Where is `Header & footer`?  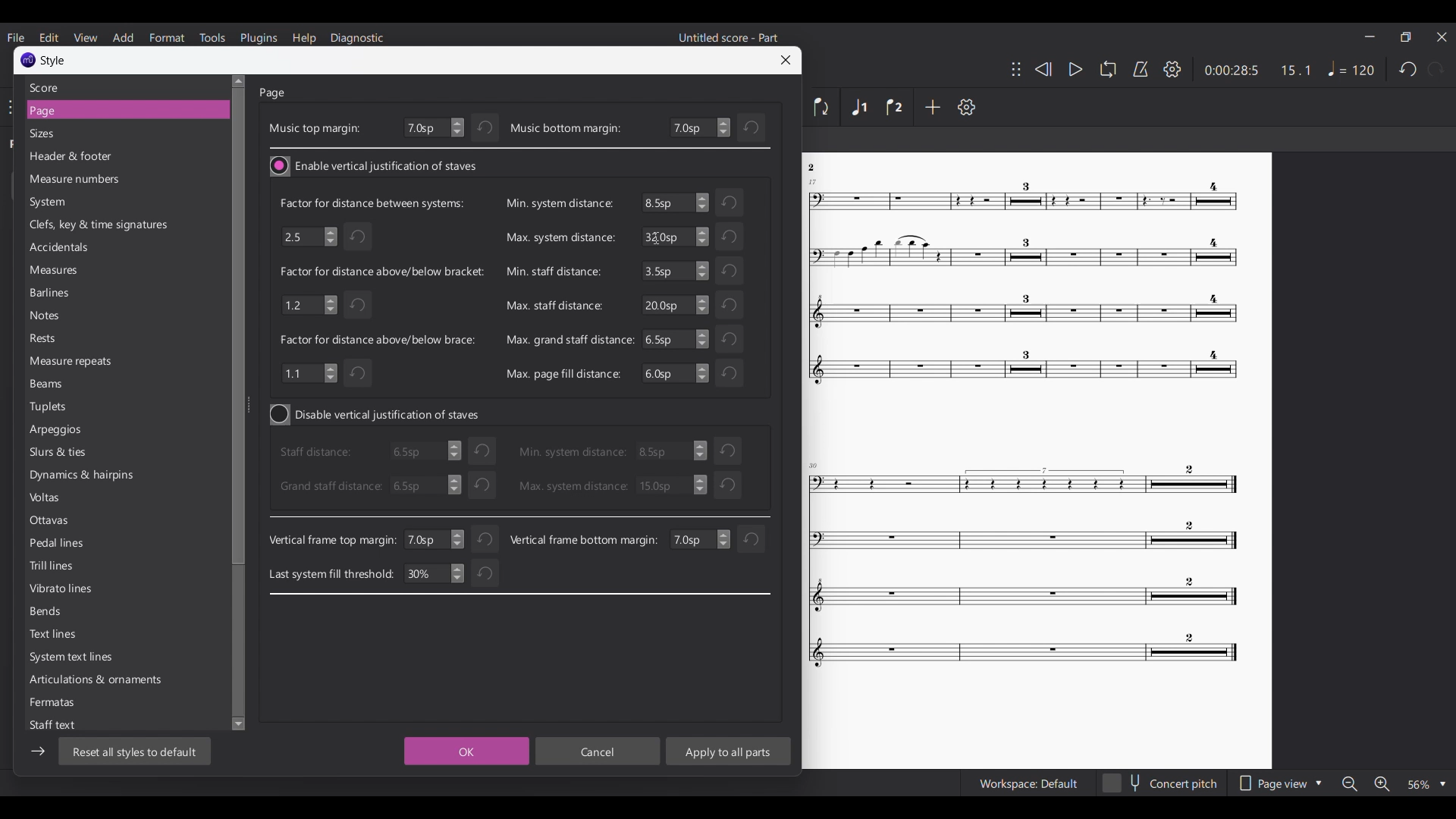 Header & footer is located at coordinates (114, 158).